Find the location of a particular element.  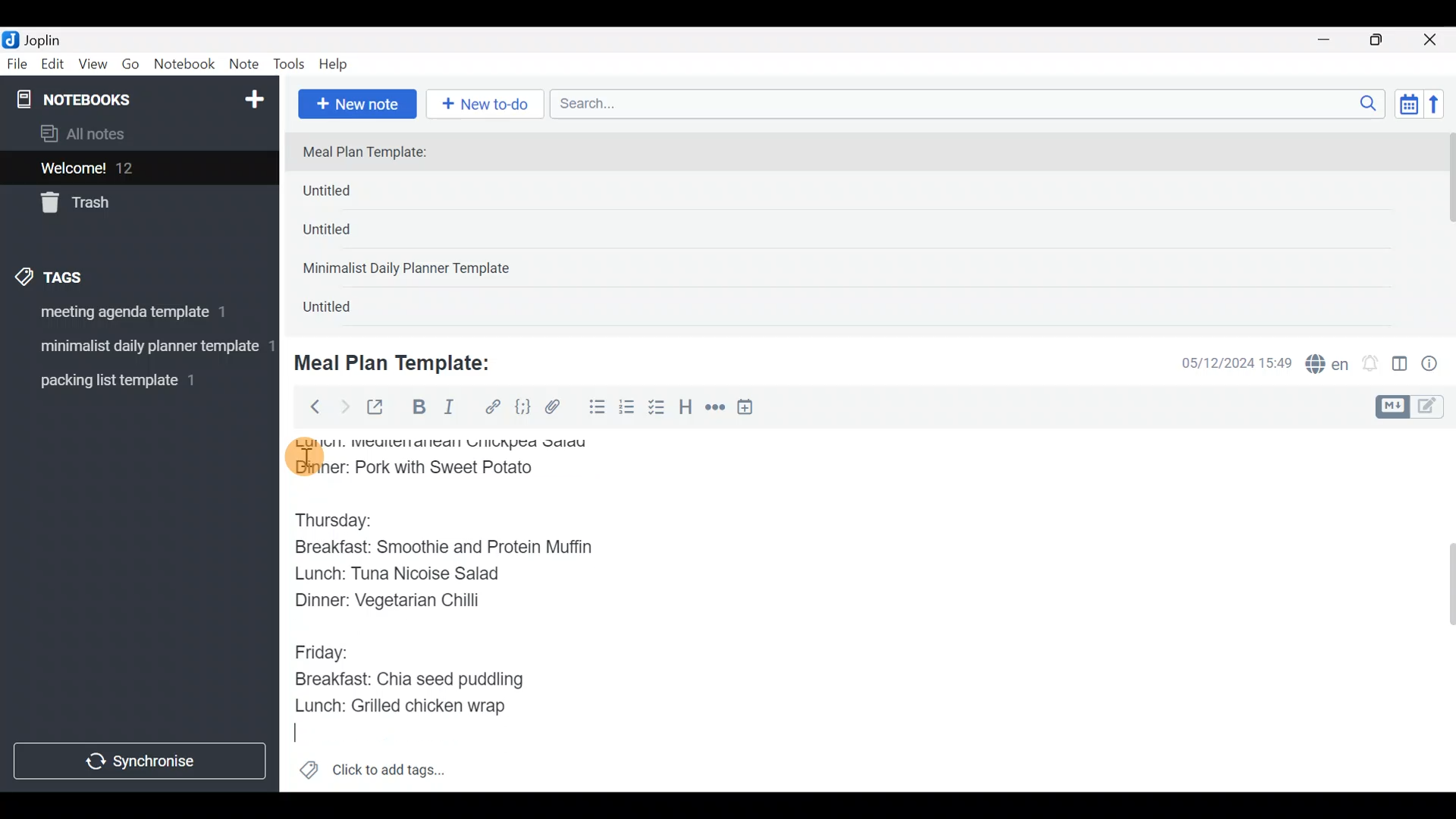

Scroll bar is located at coordinates (1440, 610).